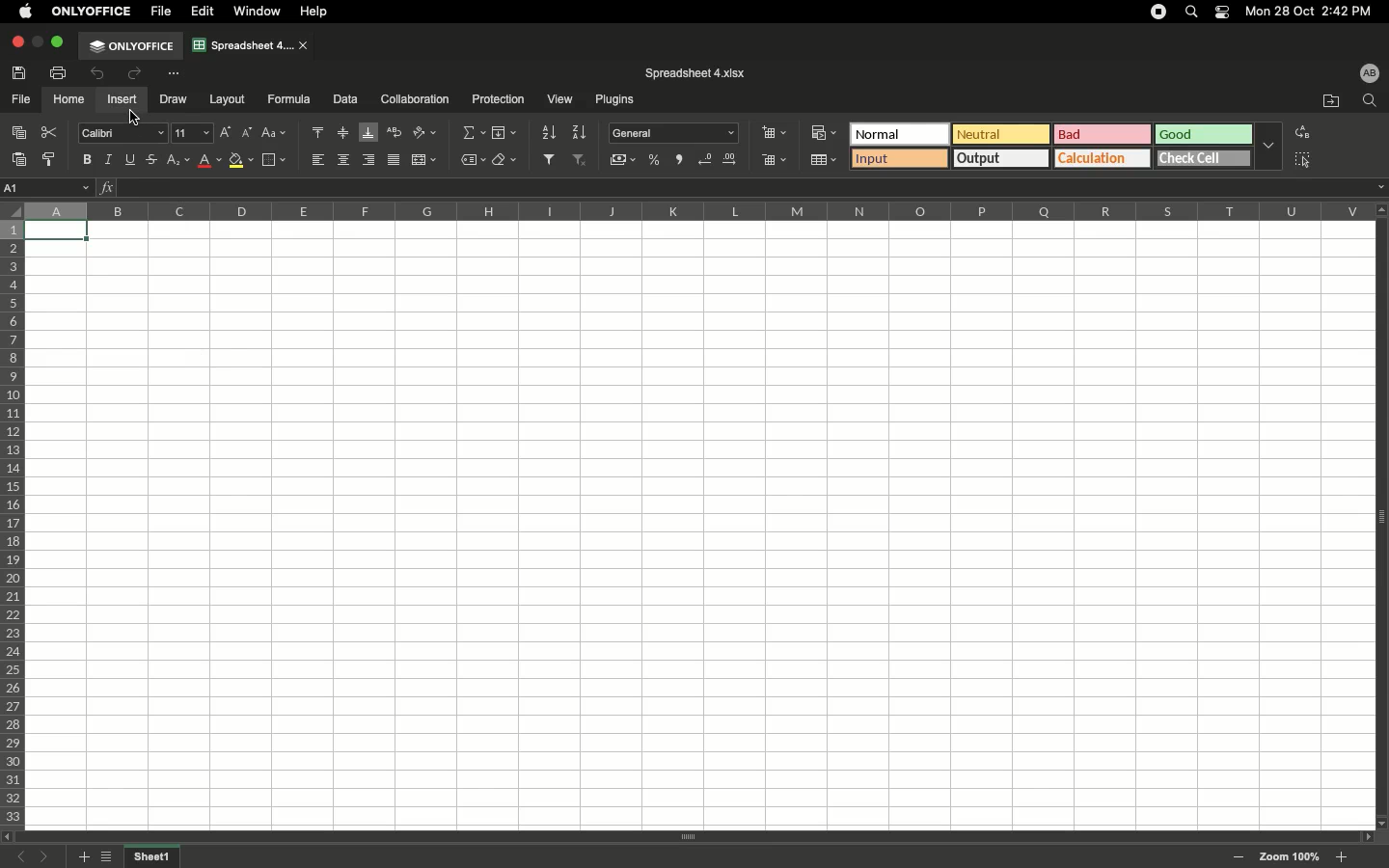  What do you see at coordinates (229, 135) in the screenshot?
I see `Increase size` at bounding box center [229, 135].